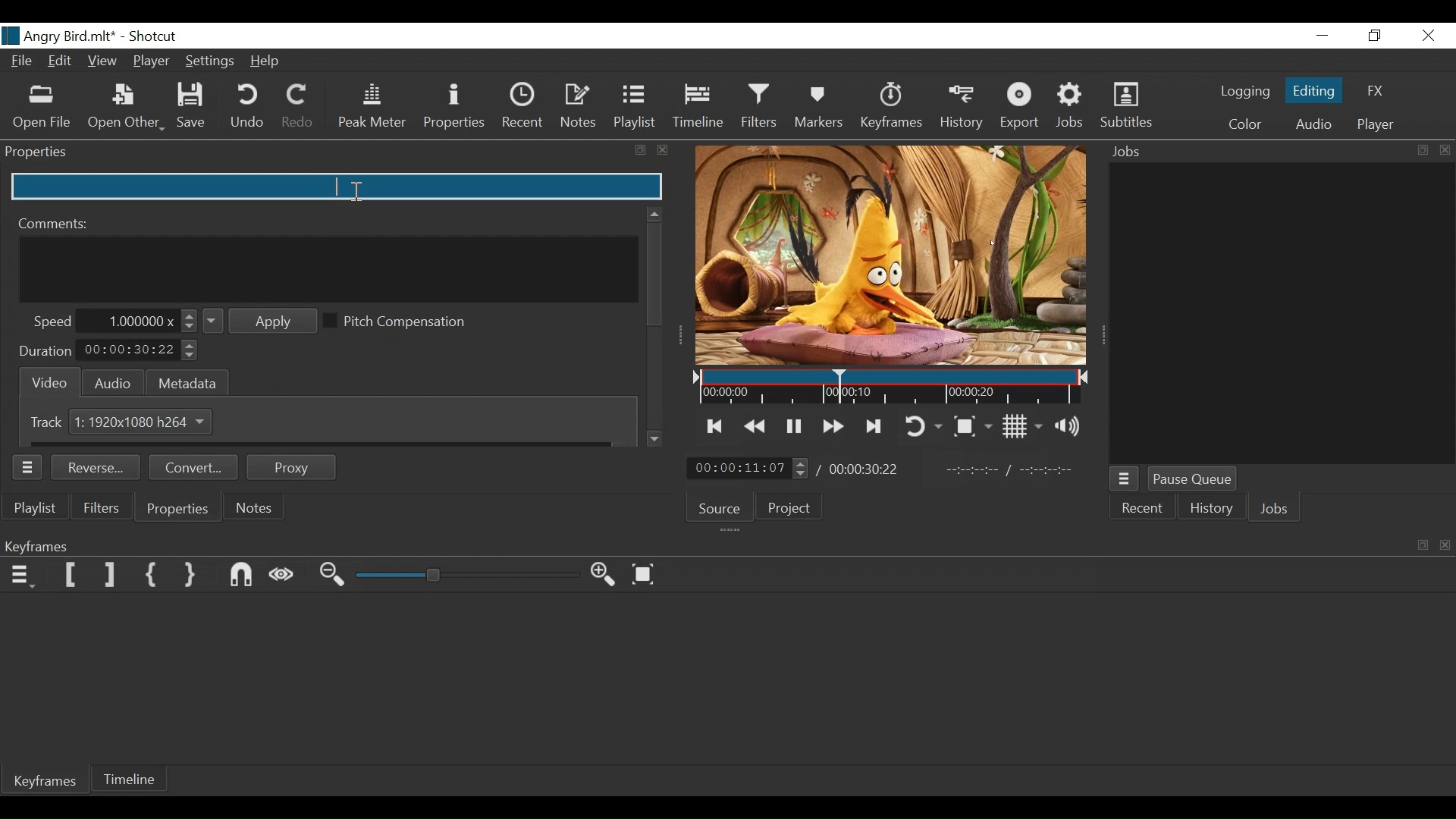  I want to click on Pause Queue, so click(1194, 479).